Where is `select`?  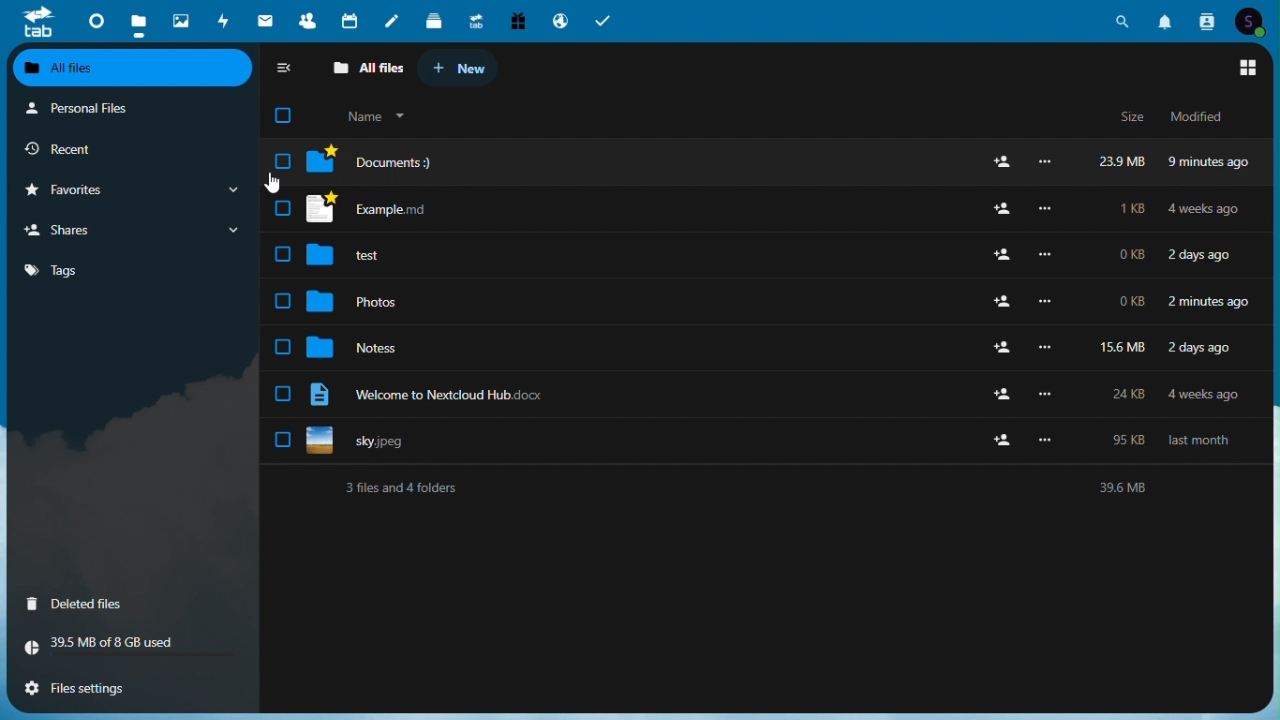 select is located at coordinates (281, 208).